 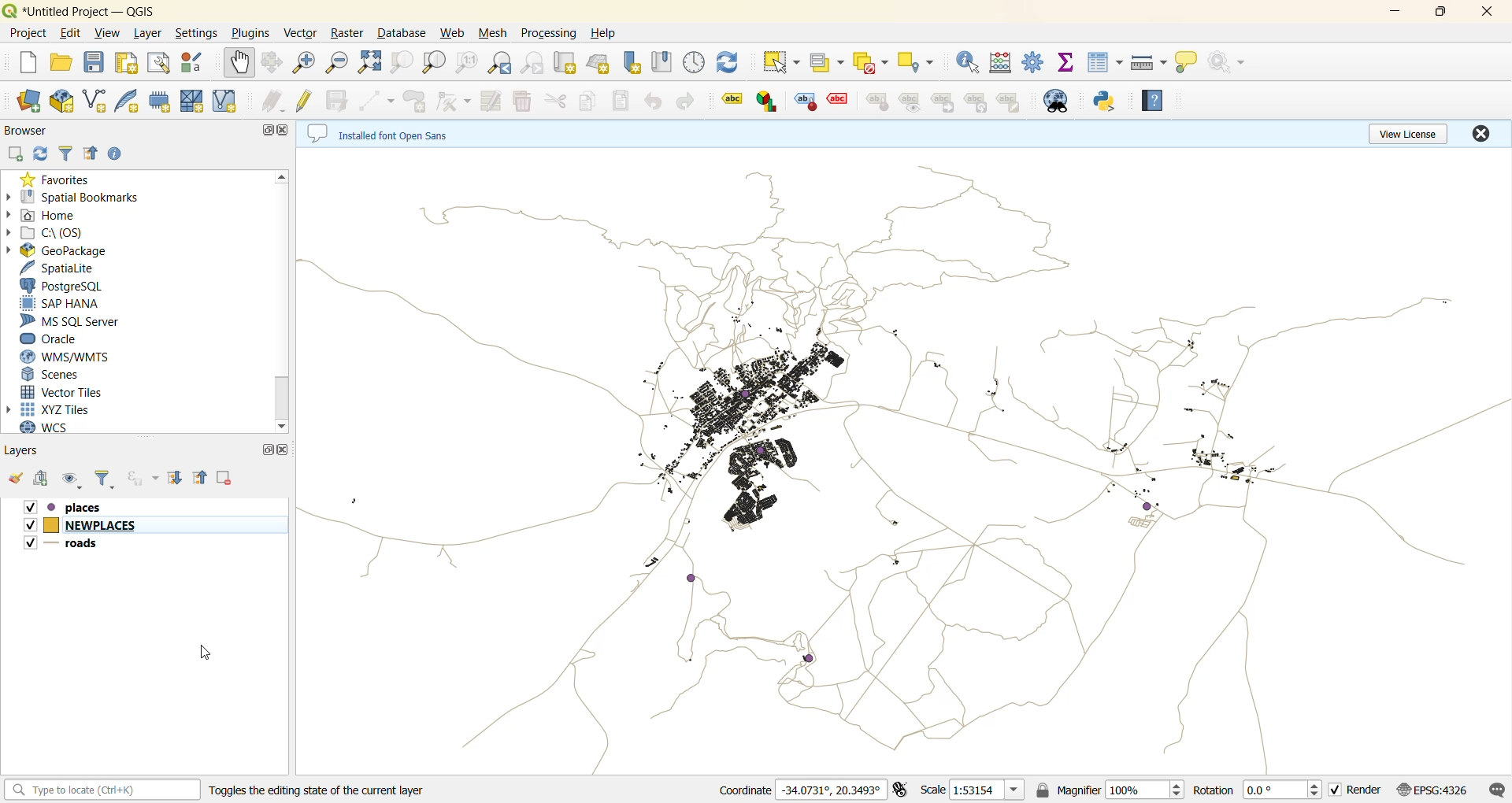 What do you see at coordinates (525, 101) in the screenshot?
I see `delete` at bounding box center [525, 101].